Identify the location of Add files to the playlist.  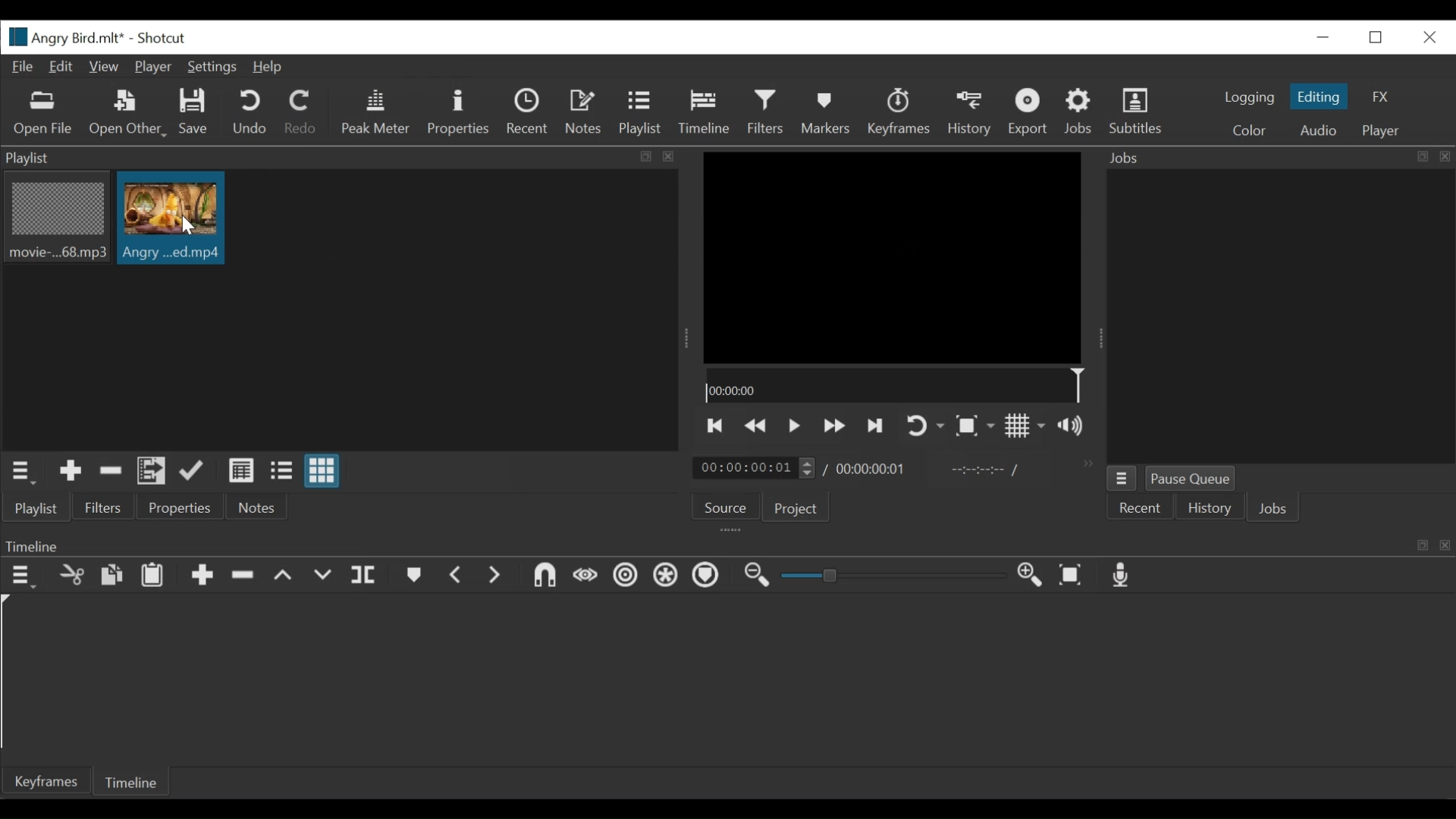
(152, 472).